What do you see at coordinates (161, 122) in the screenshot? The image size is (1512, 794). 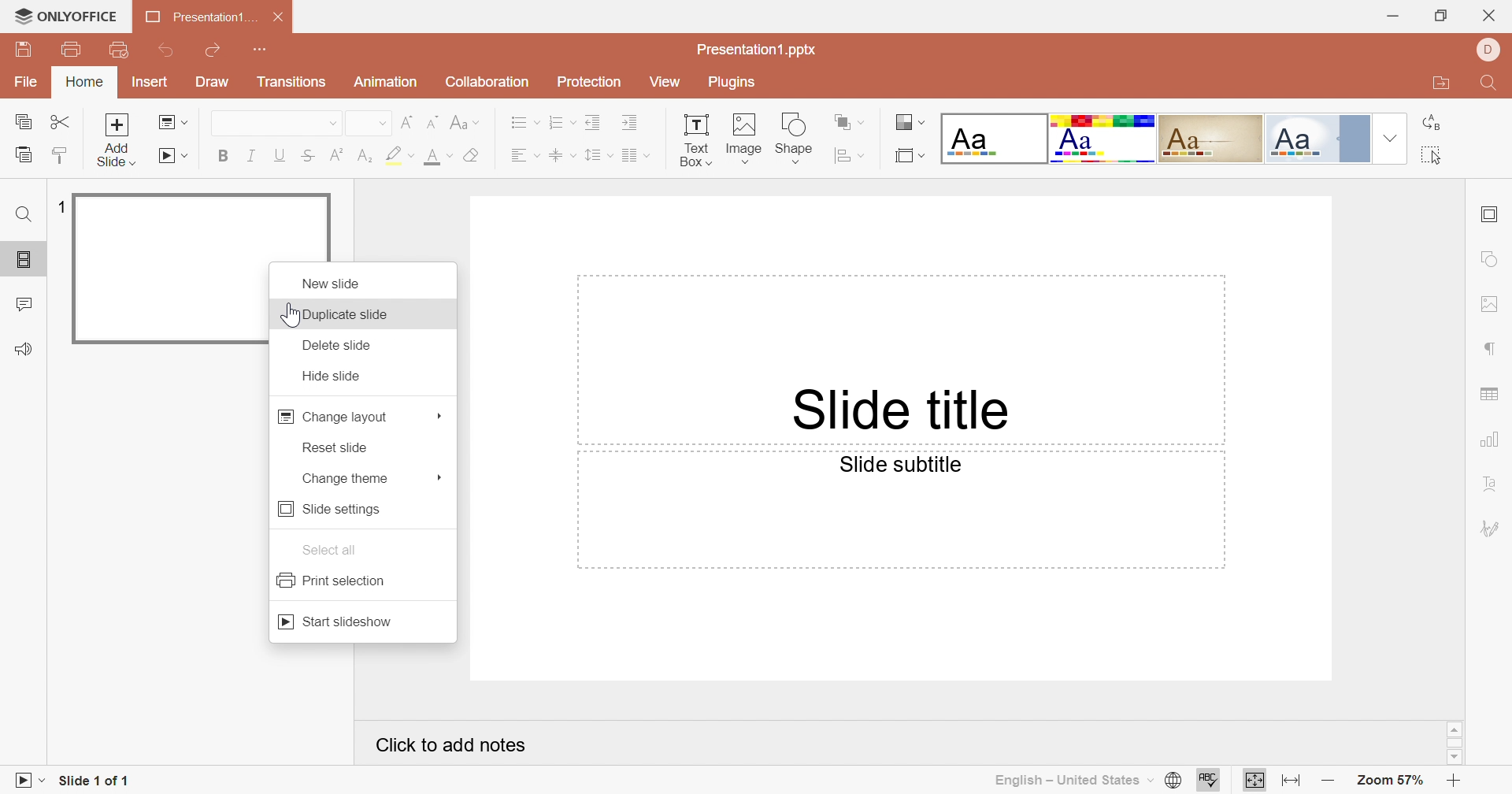 I see `Change slide layout` at bounding box center [161, 122].